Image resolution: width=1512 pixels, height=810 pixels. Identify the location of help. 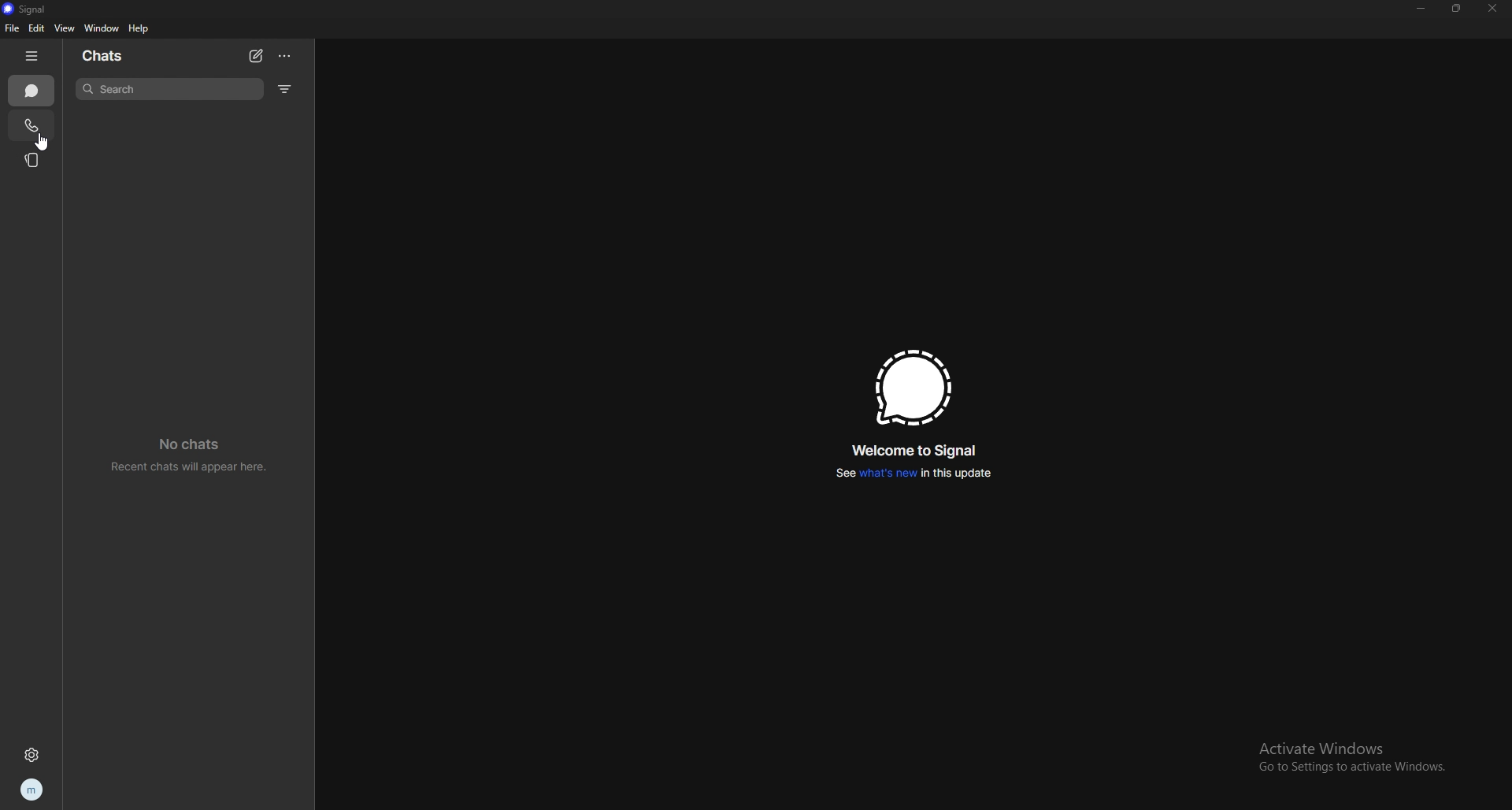
(139, 28).